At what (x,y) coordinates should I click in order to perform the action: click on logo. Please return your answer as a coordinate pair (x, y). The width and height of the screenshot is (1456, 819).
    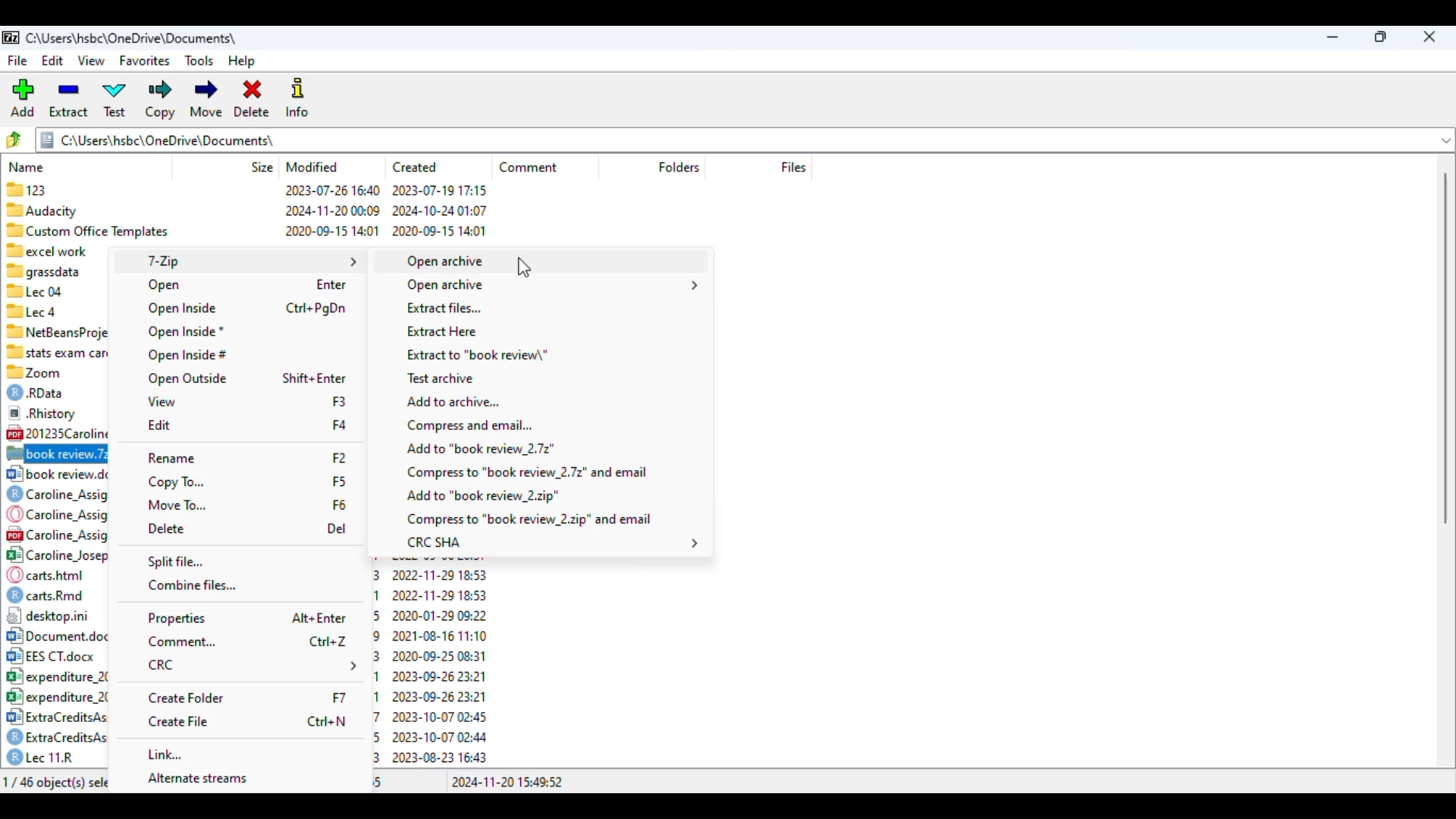
    Looking at the image, I should click on (12, 37).